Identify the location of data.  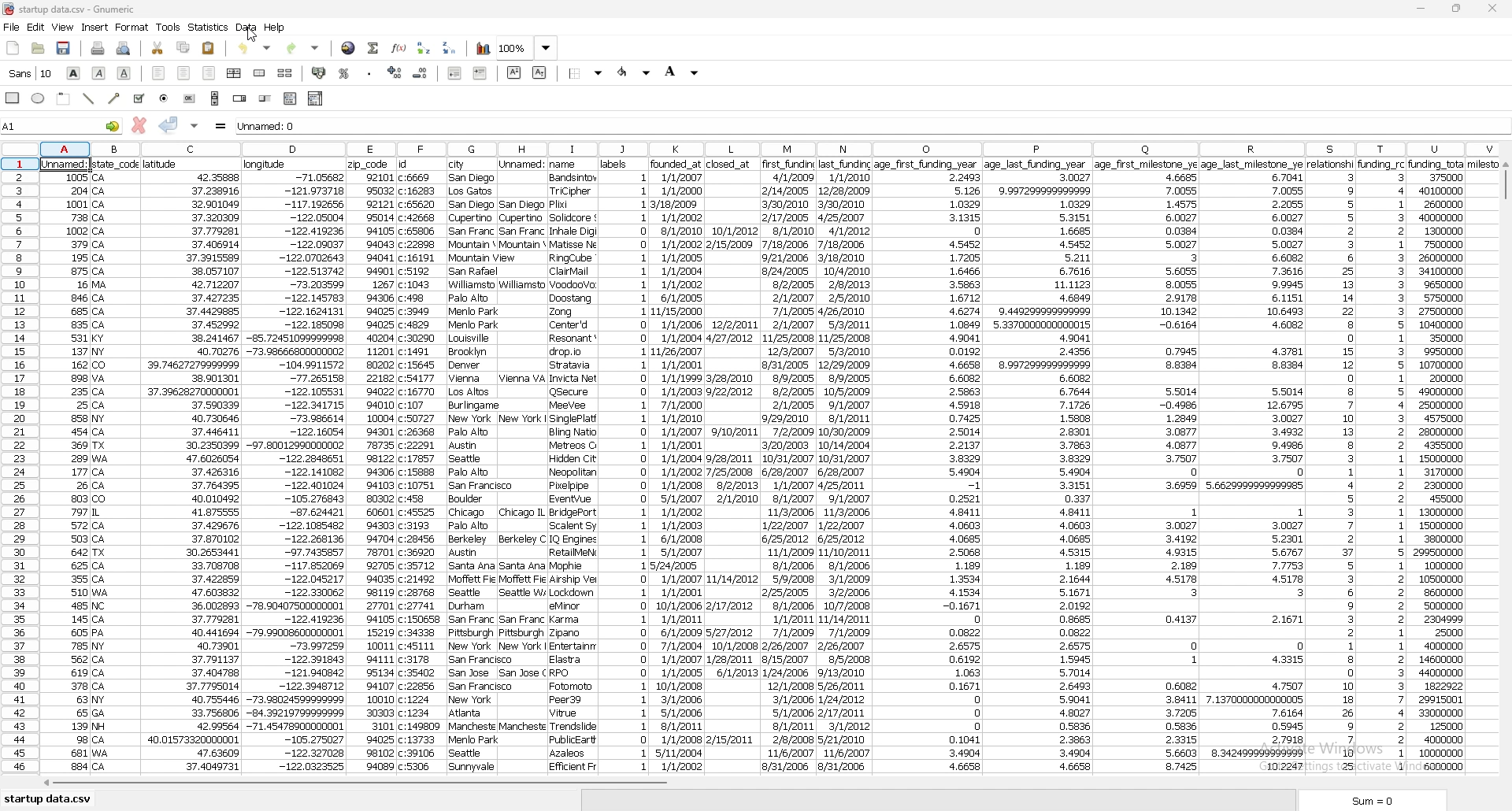
(572, 466).